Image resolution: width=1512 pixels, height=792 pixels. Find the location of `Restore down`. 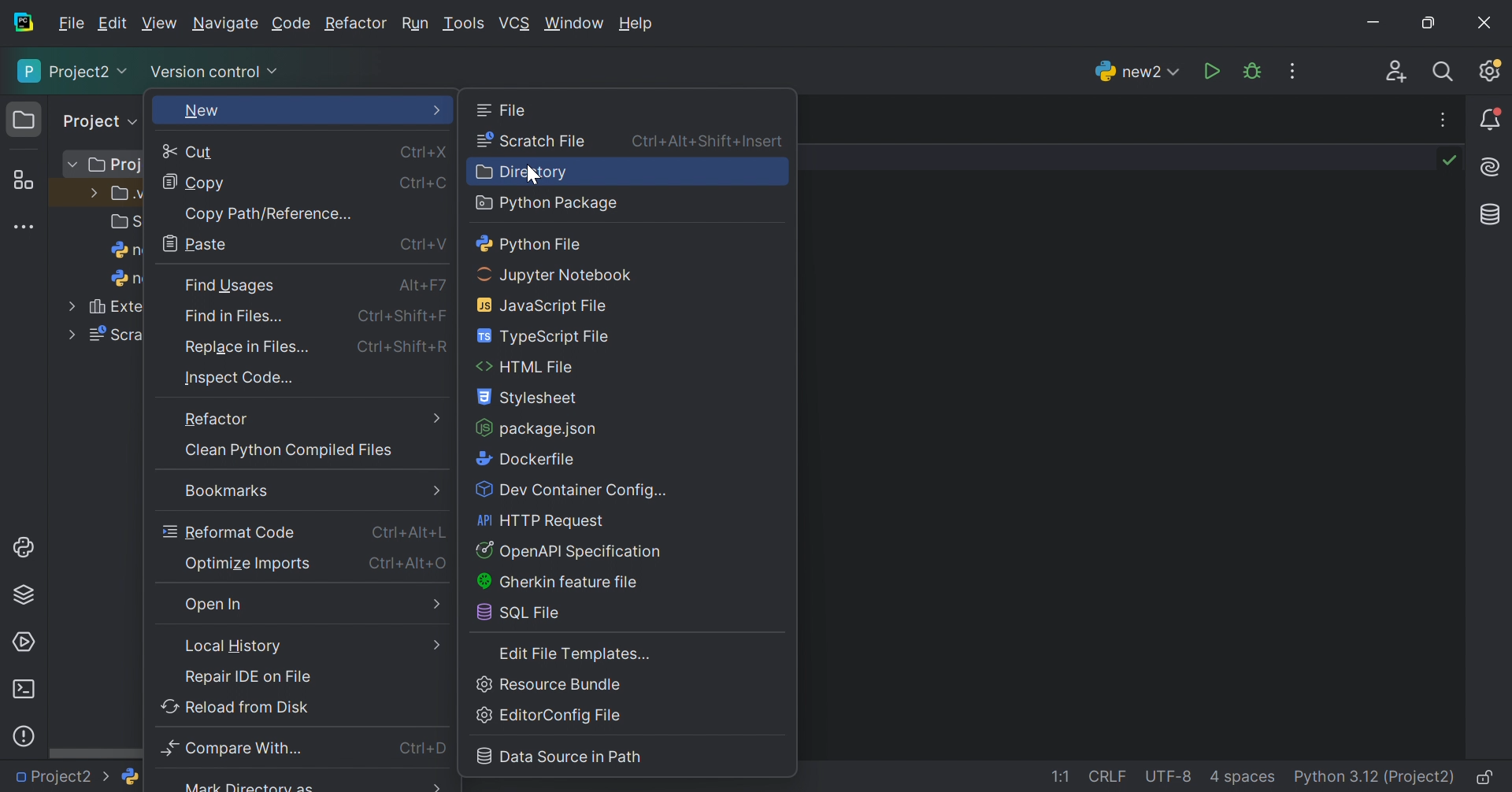

Restore down is located at coordinates (1430, 22).